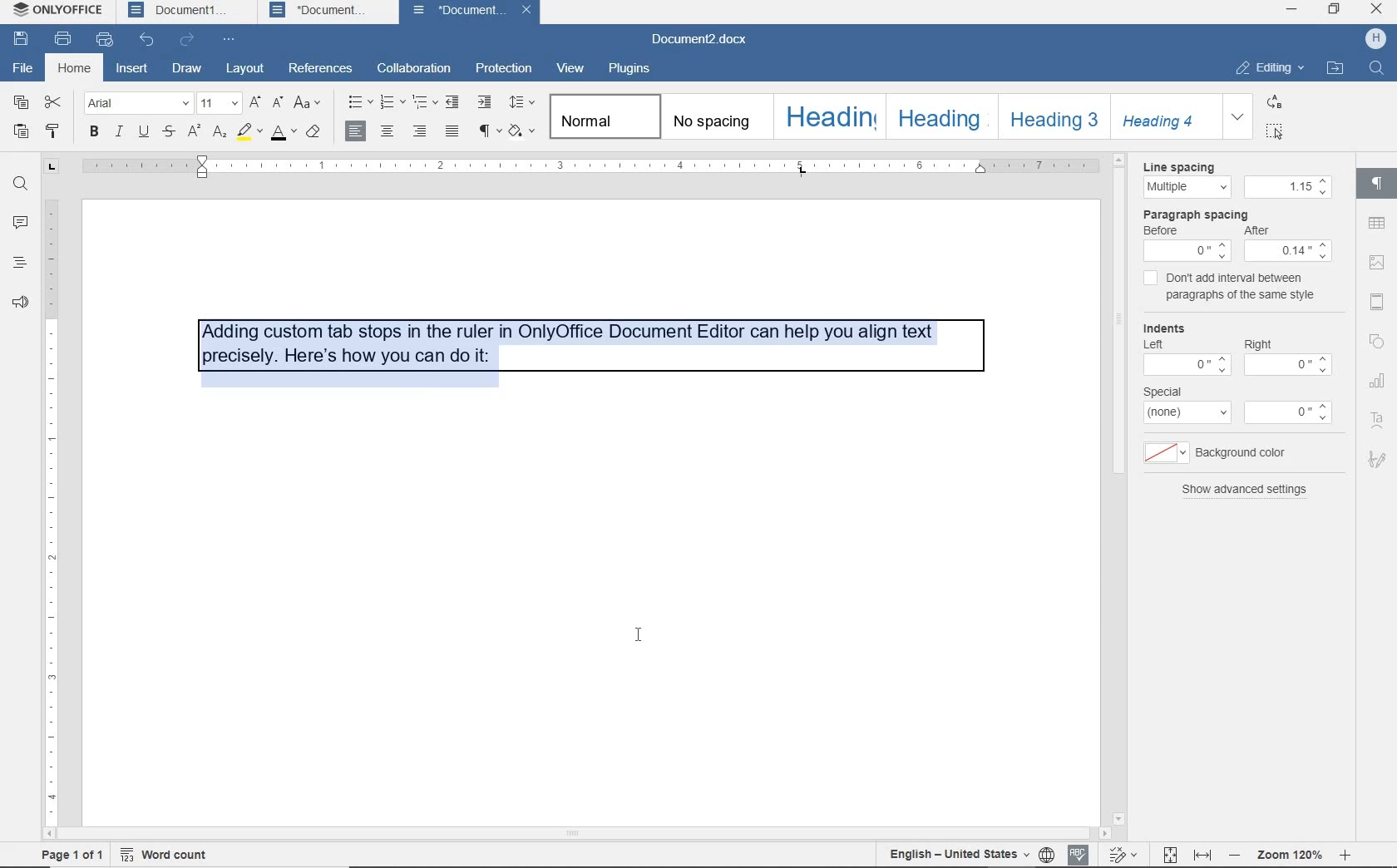  What do you see at coordinates (24, 68) in the screenshot?
I see `file` at bounding box center [24, 68].